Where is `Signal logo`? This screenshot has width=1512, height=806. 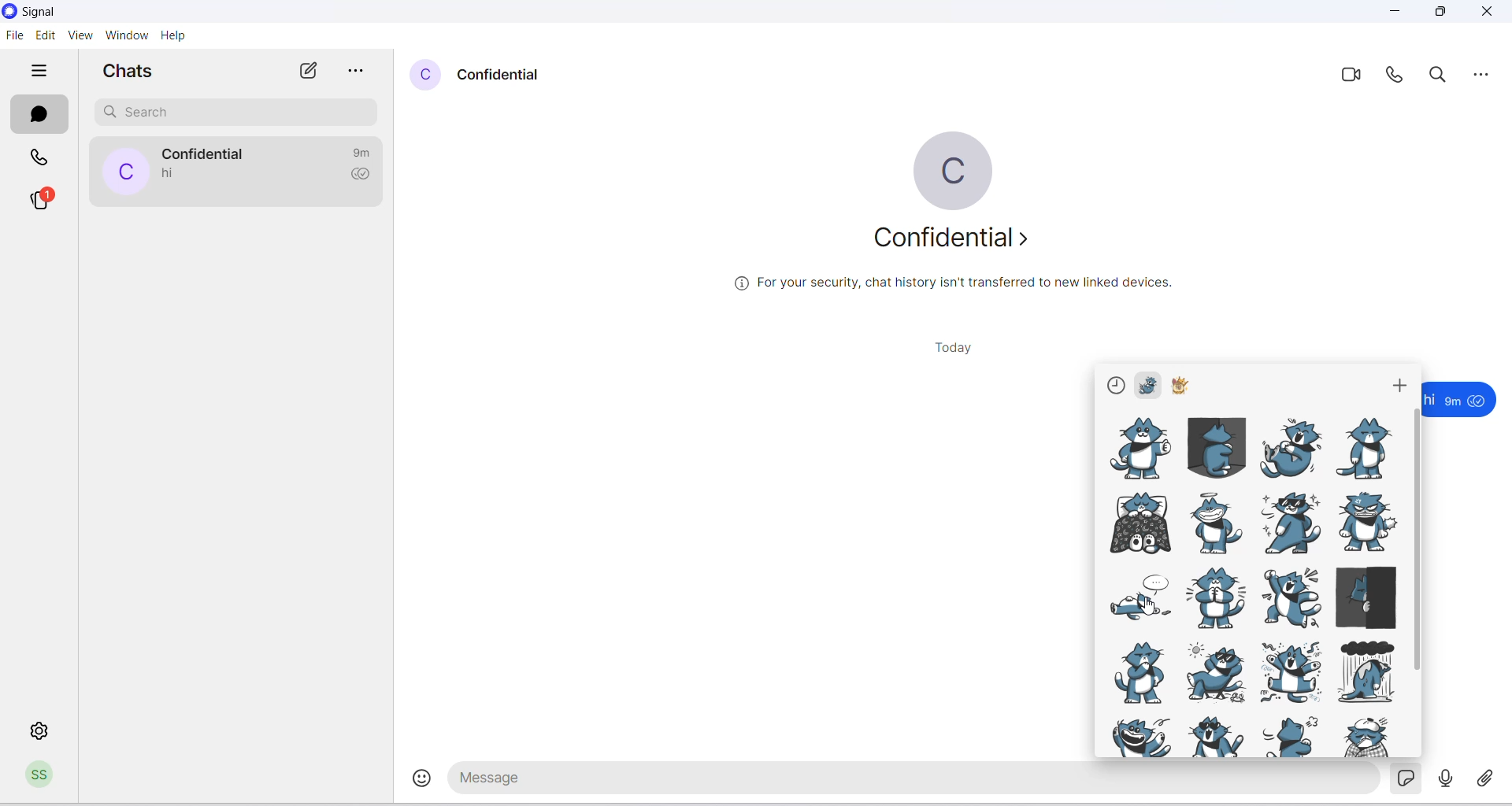 Signal logo is located at coordinates (44, 12).